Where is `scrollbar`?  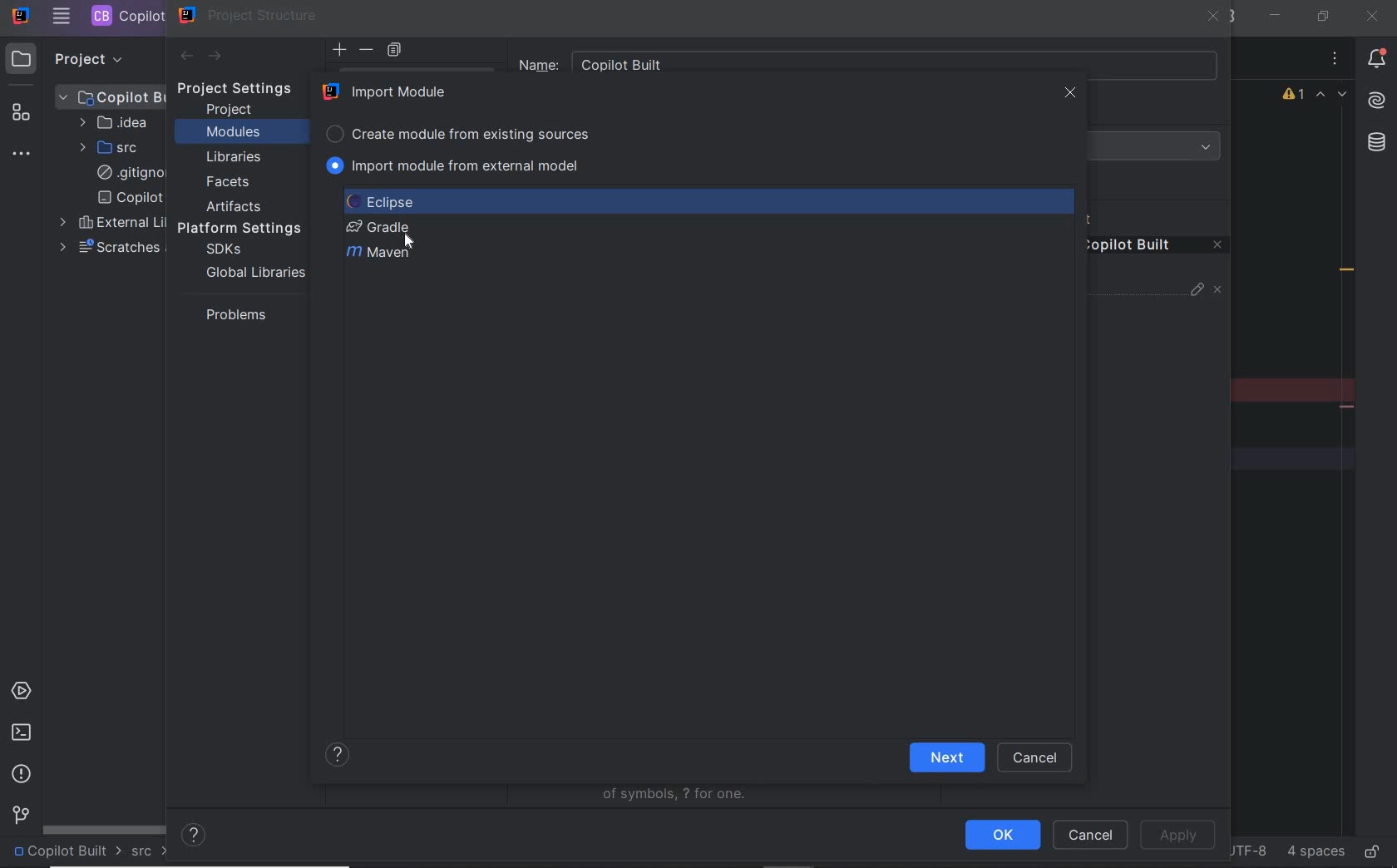 scrollbar is located at coordinates (105, 828).